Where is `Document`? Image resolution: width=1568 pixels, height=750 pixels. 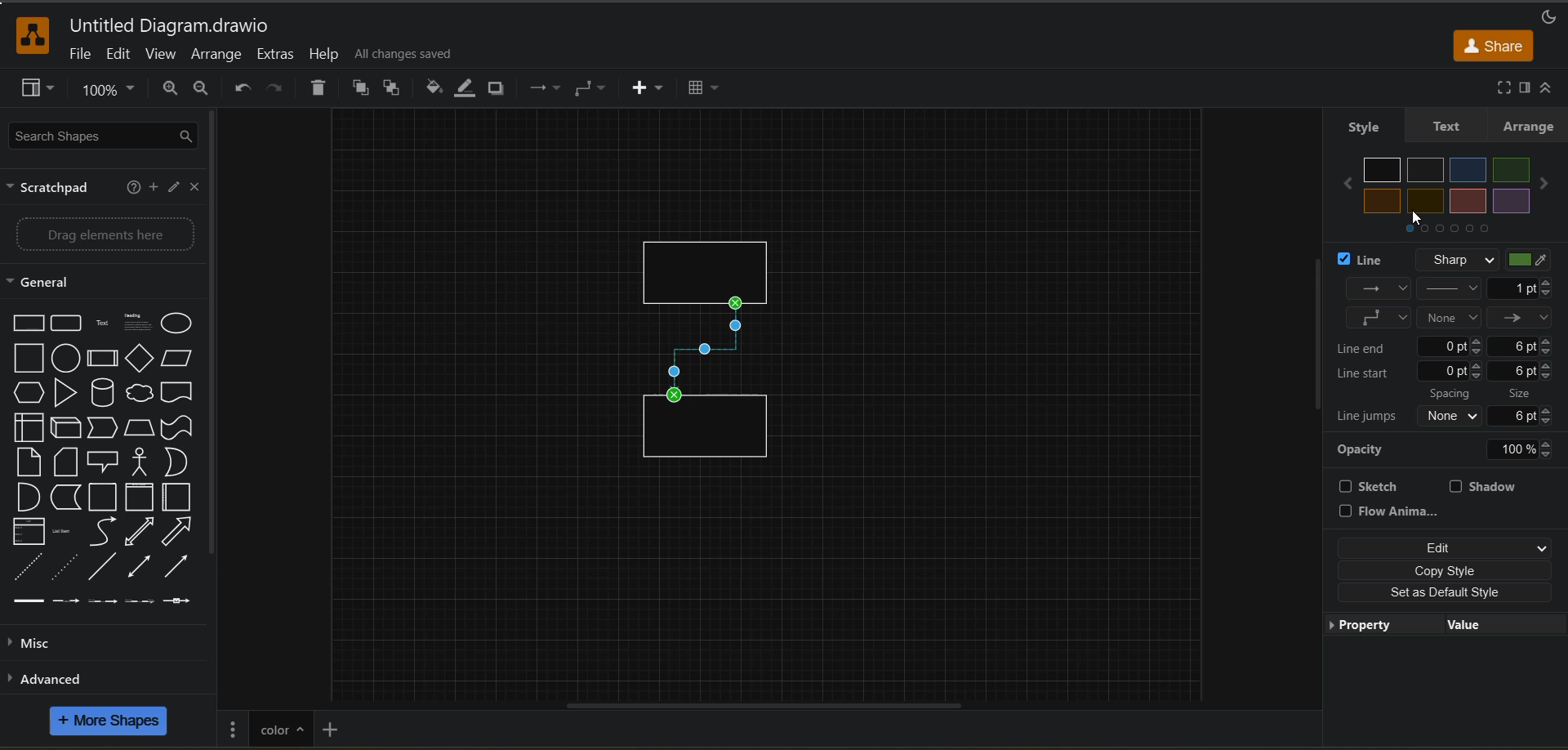 Document is located at coordinates (179, 391).